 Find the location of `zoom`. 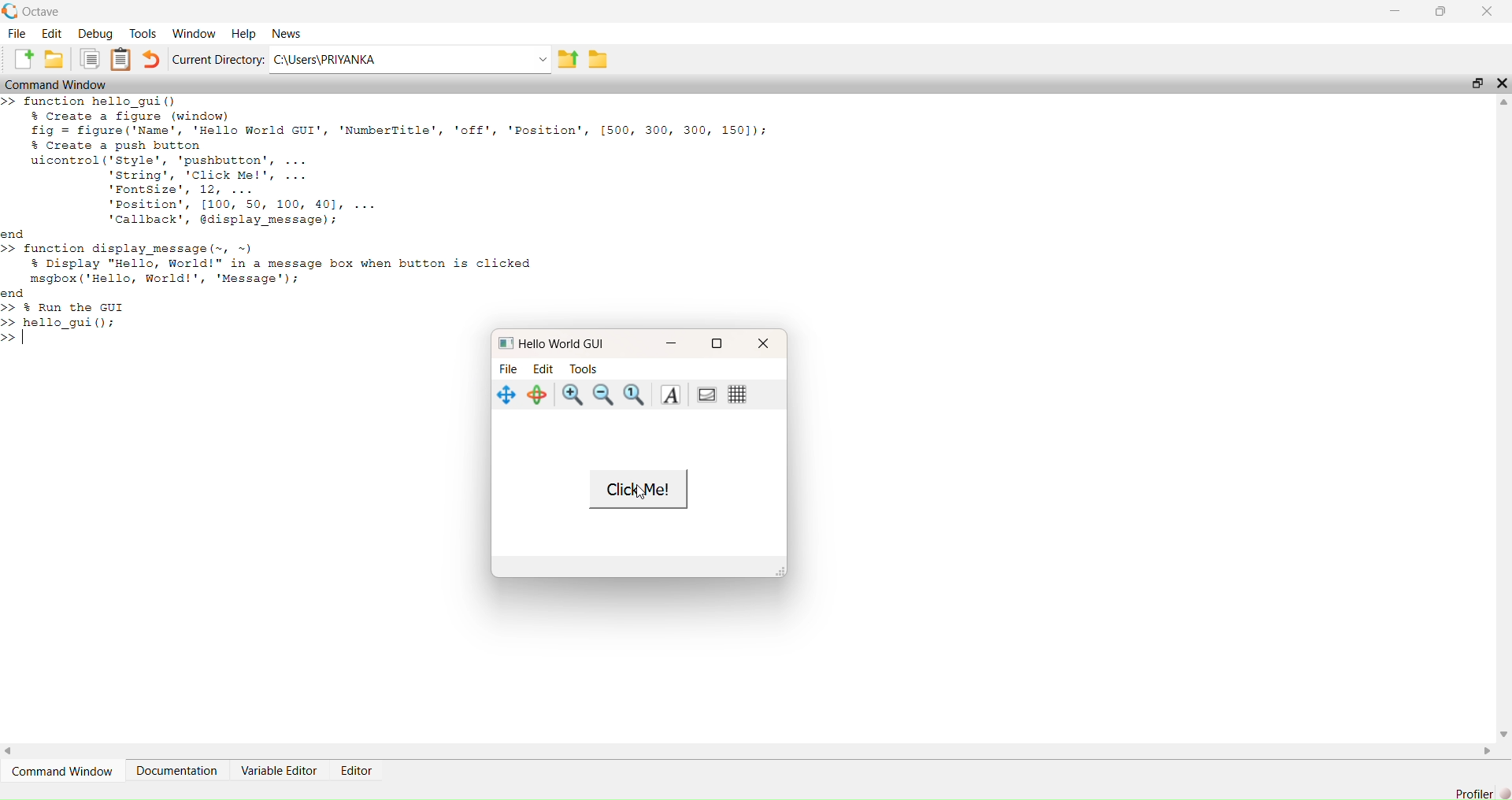

zoom is located at coordinates (634, 394).